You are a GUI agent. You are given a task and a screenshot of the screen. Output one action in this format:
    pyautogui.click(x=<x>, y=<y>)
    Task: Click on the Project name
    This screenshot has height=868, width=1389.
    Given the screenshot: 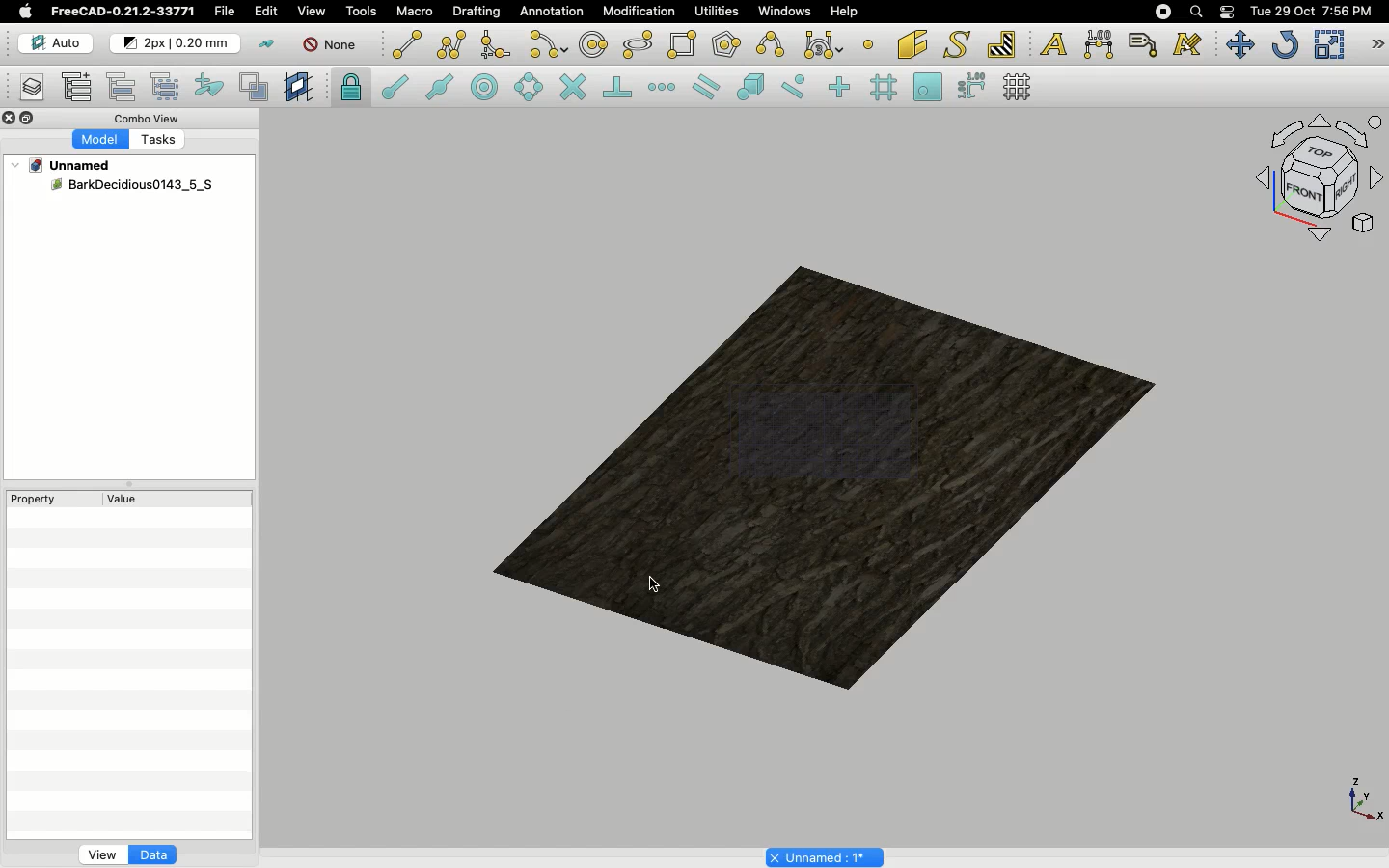 What is the action you would take?
    pyautogui.click(x=827, y=855)
    